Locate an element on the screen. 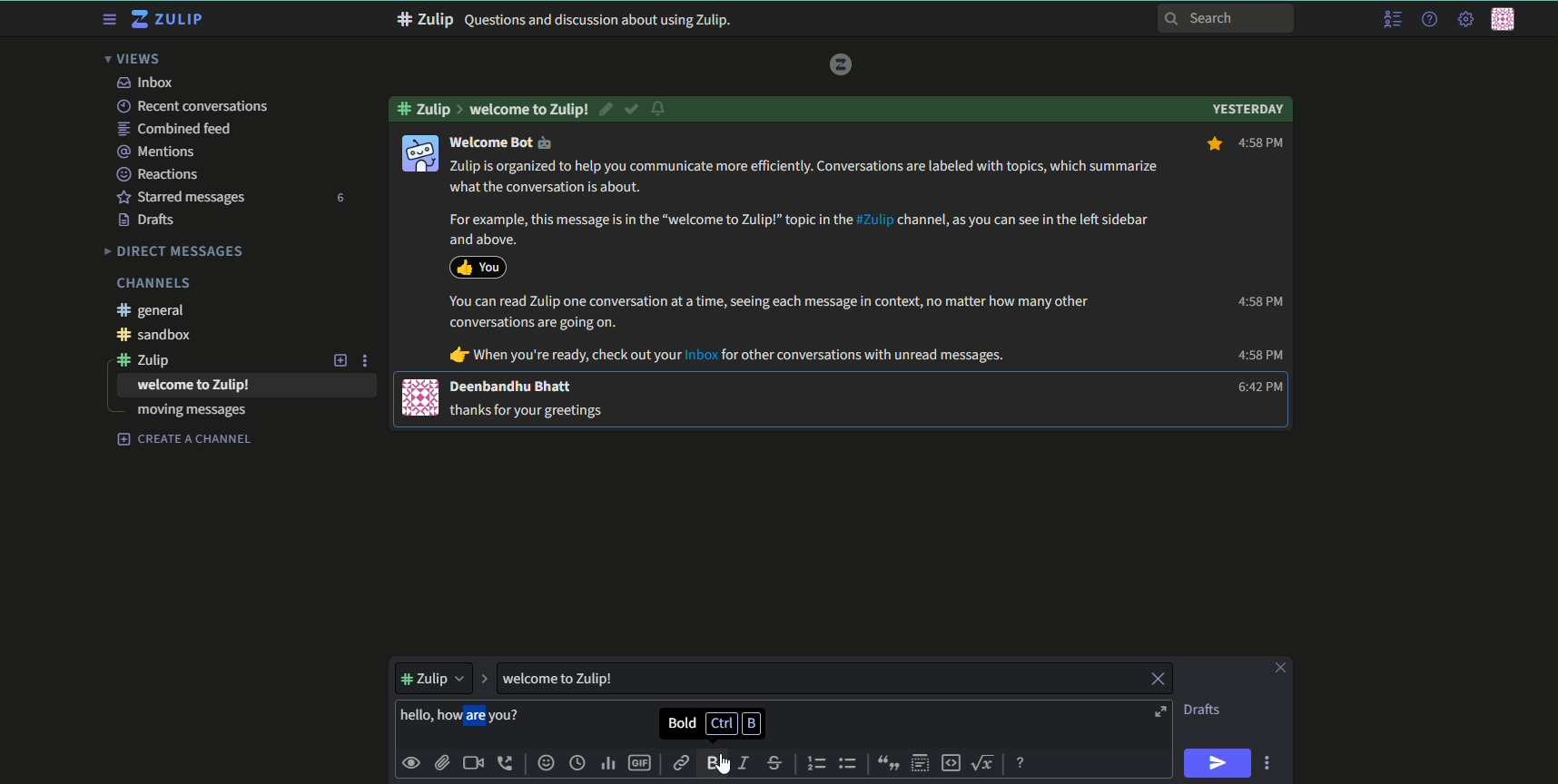 The height and width of the screenshot is (784, 1558). spoiler is located at coordinates (921, 763).